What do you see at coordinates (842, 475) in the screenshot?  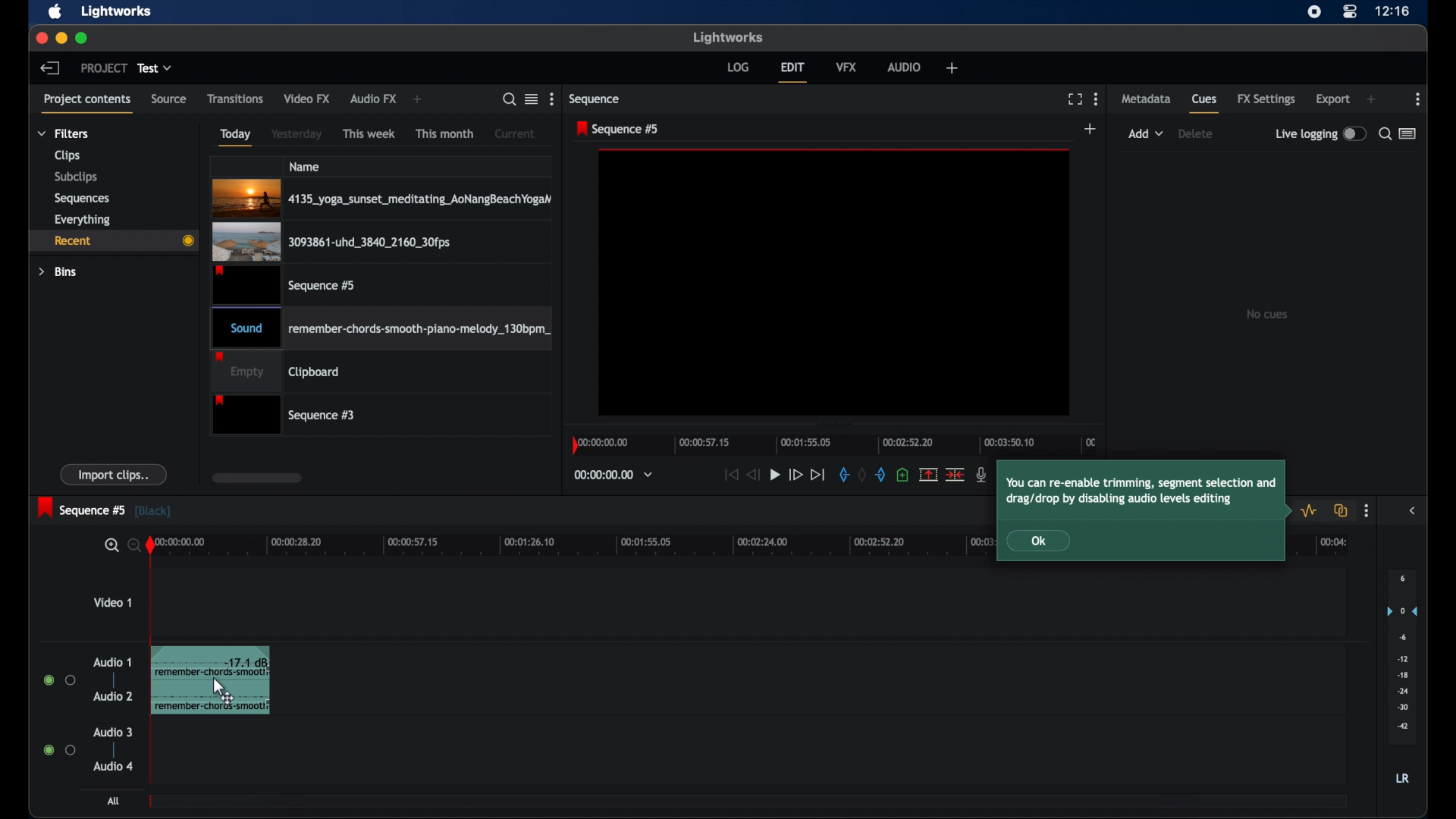 I see `in mark` at bounding box center [842, 475].